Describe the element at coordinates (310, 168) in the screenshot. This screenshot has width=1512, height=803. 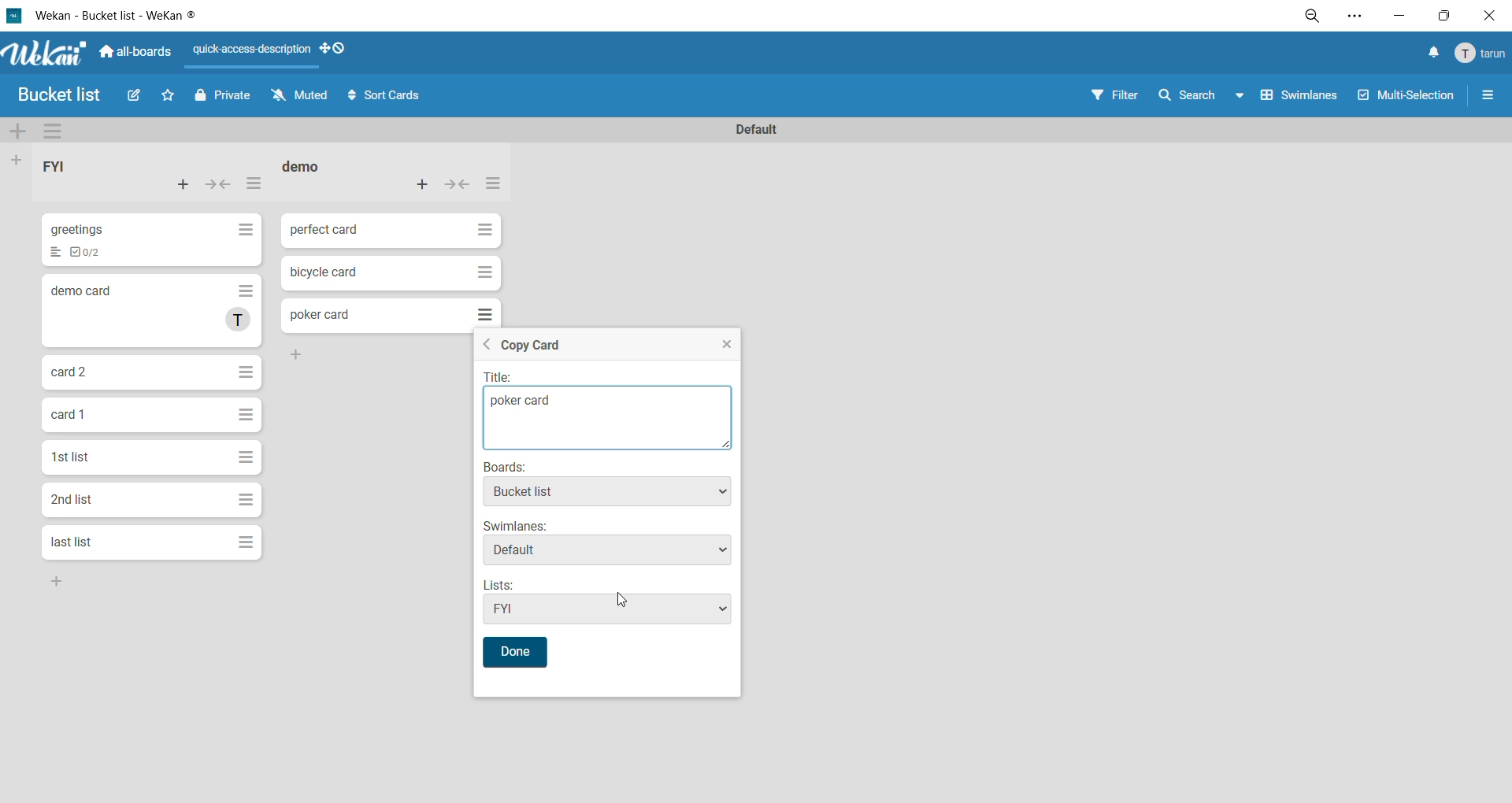
I see `list title ` at that location.